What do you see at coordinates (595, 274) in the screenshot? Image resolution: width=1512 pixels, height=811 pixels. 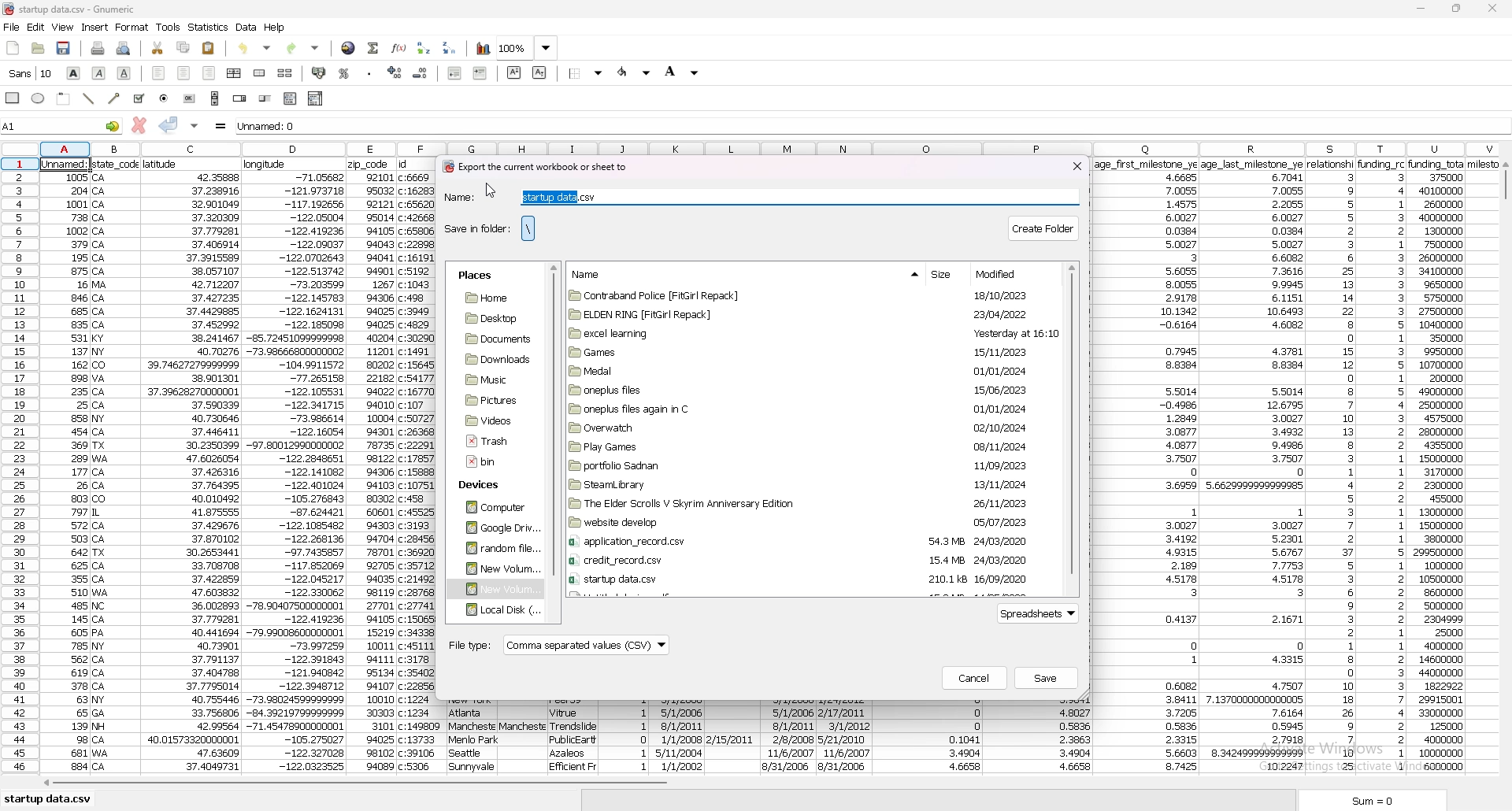 I see `name` at bounding box center [595, 274].